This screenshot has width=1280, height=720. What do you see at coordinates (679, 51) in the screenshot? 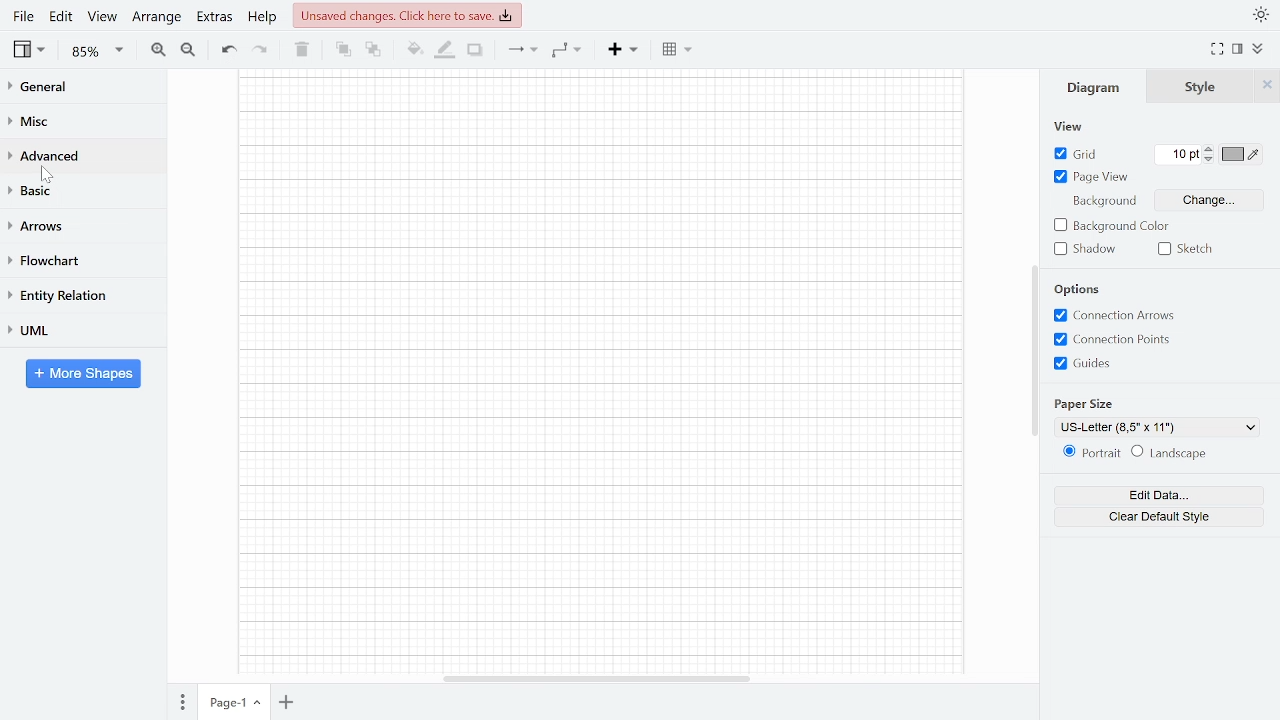
I see `Table` at bounding box center [679, 51].